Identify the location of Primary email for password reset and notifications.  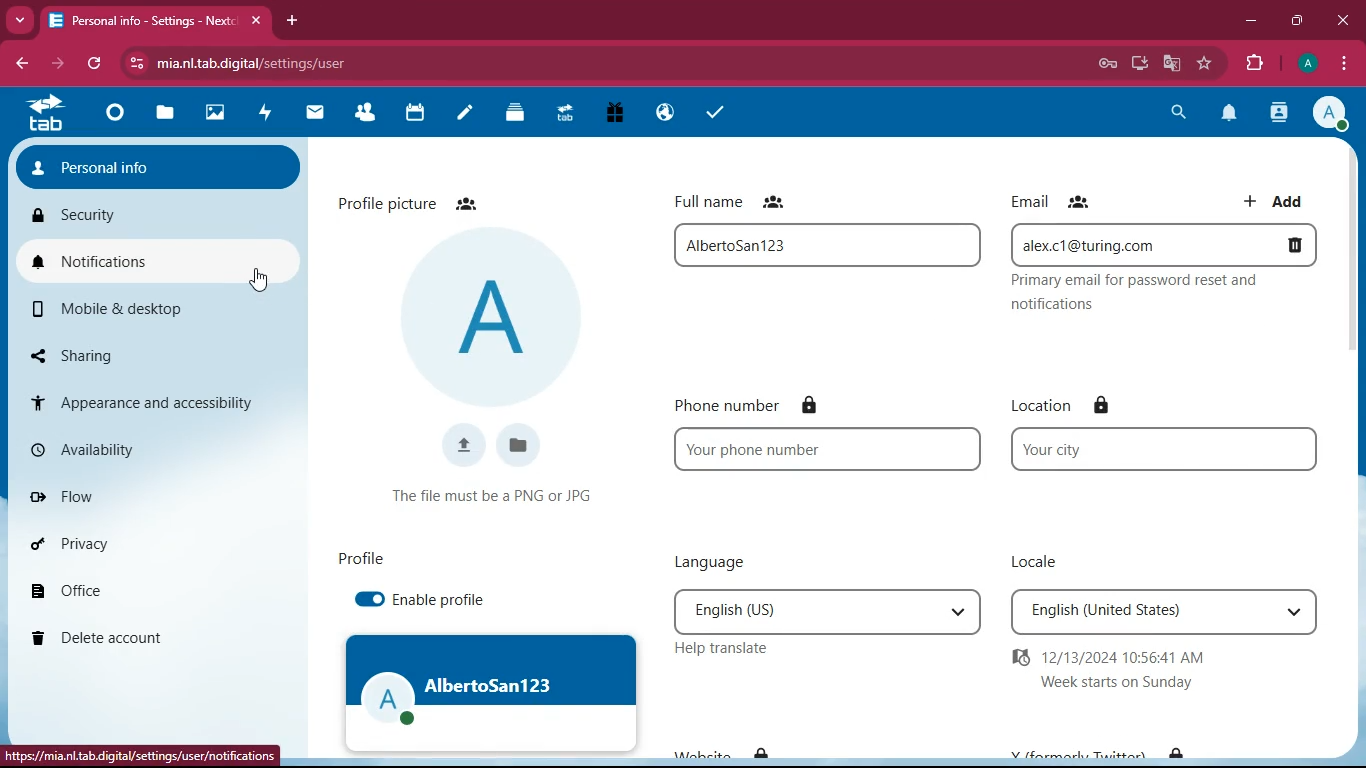
(1137, 295).